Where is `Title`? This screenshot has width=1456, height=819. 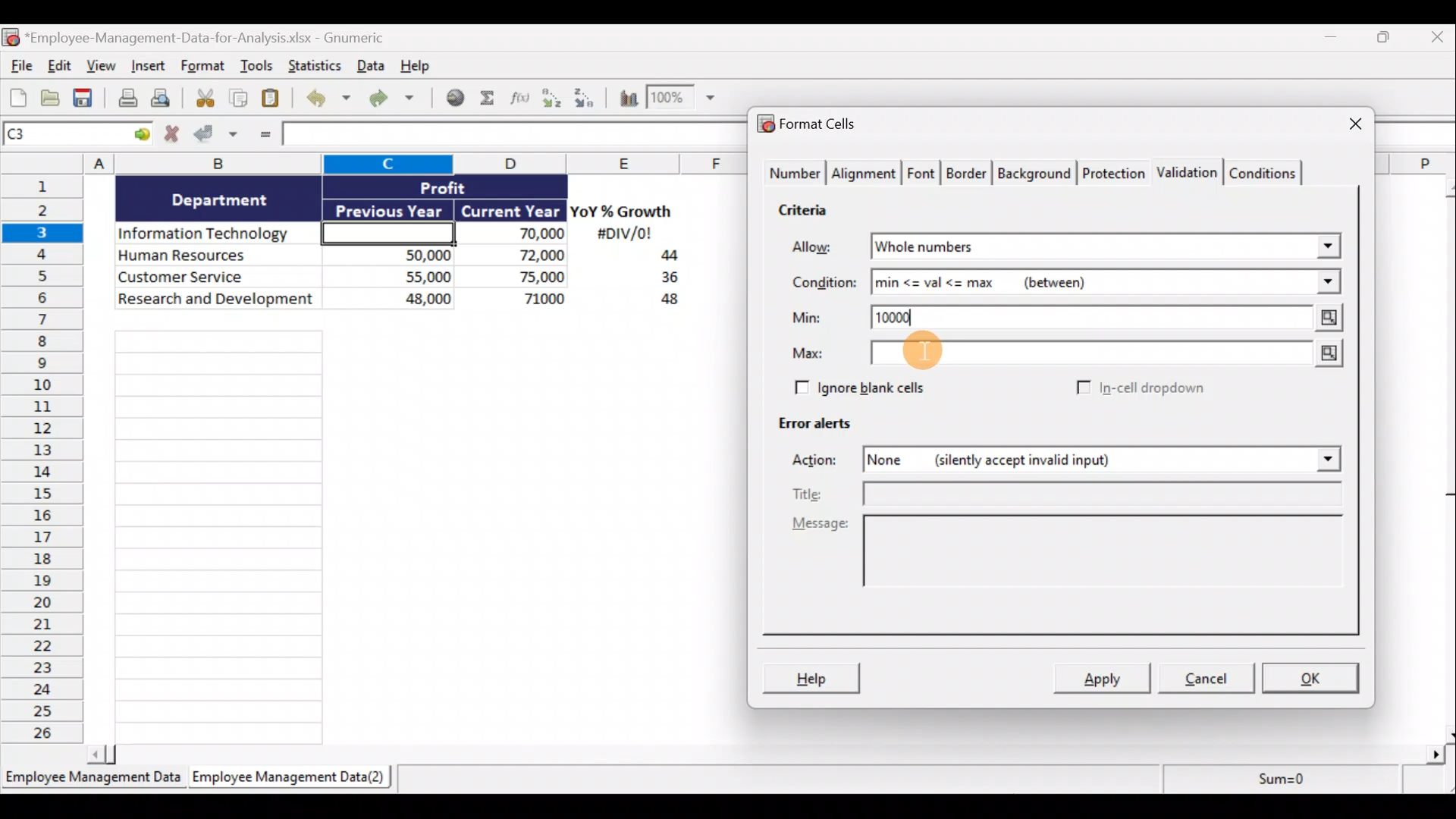
Title is located at coordinates (1072, 494).